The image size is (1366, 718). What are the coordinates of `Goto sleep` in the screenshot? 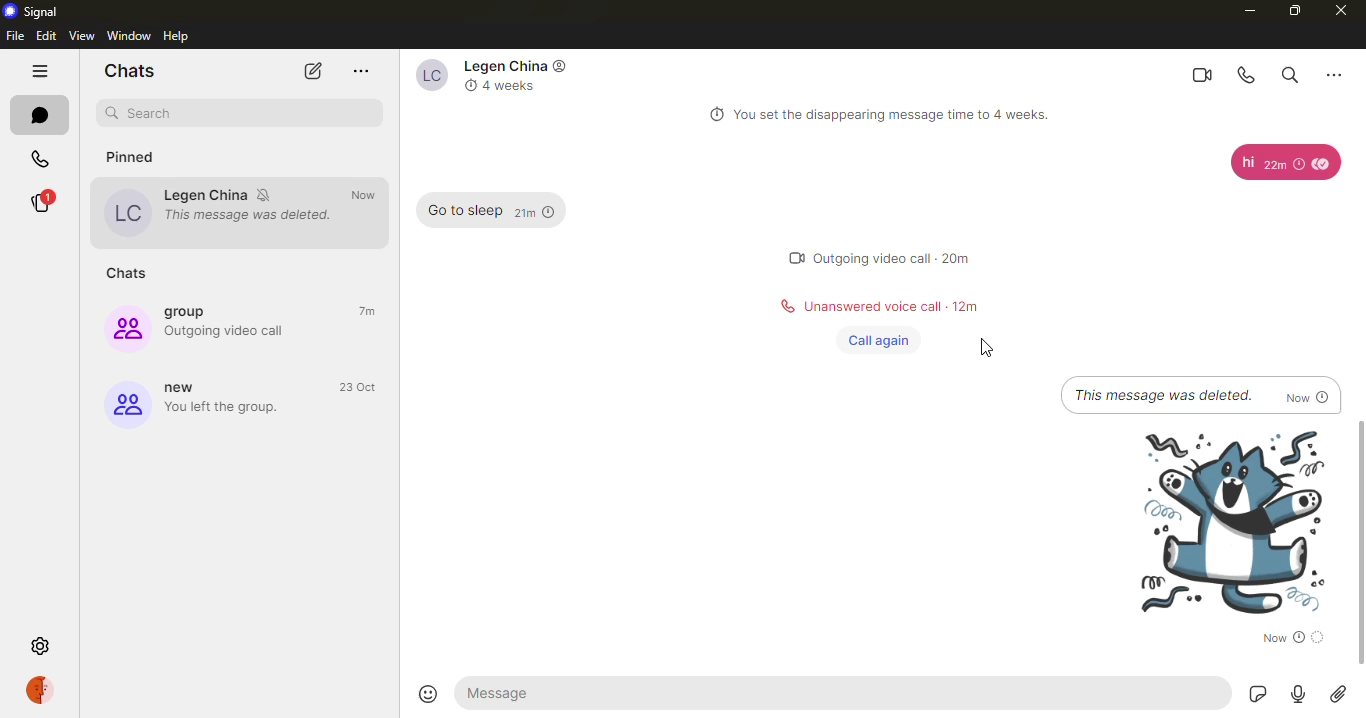 It's located at (456, 211).